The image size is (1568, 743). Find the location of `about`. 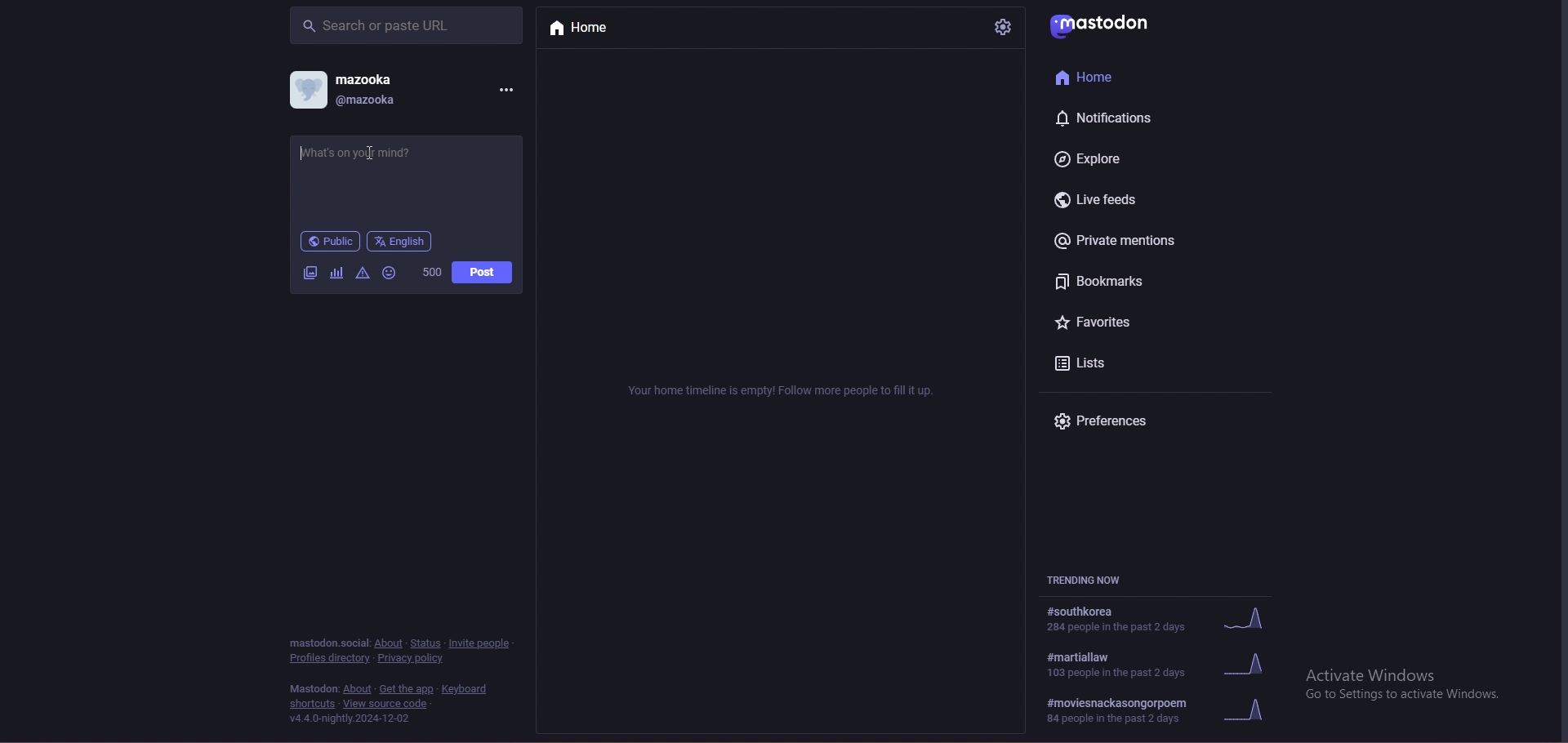

about is located at coordinates (357, 688).